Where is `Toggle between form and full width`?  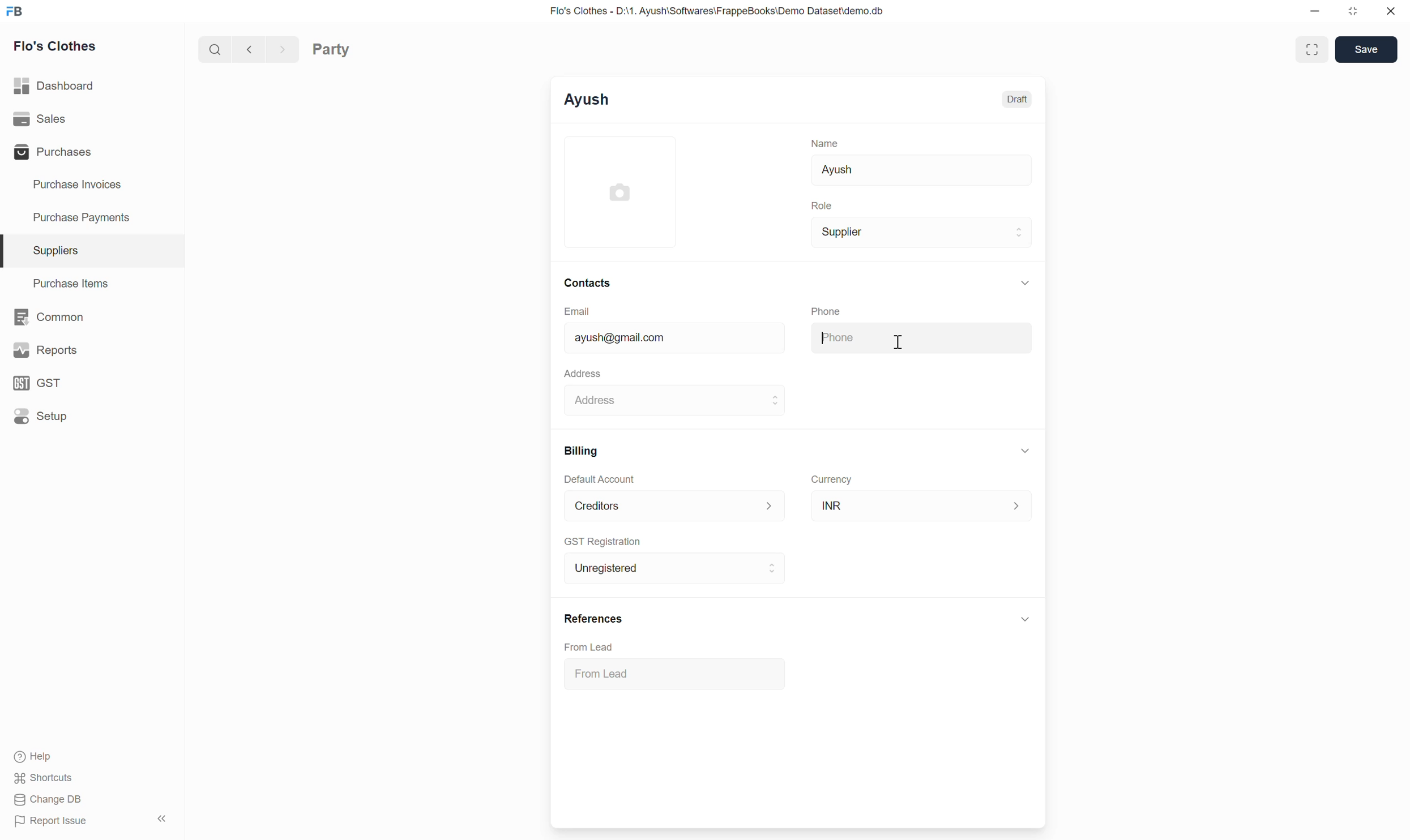 Toggle between form and full width is located at coordinates (1311, 49).